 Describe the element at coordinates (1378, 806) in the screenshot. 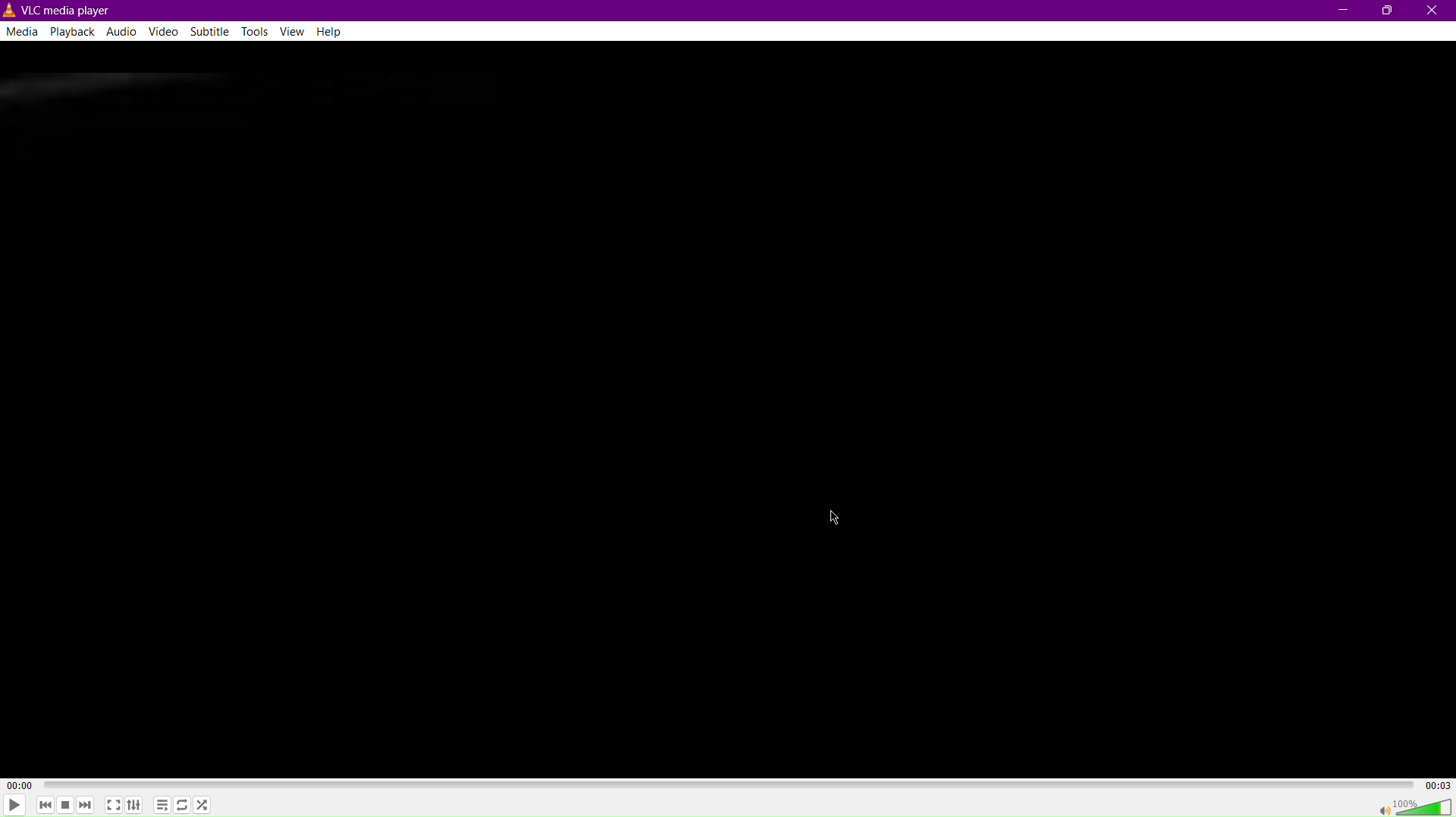

I see `mute/unmute` at that location.